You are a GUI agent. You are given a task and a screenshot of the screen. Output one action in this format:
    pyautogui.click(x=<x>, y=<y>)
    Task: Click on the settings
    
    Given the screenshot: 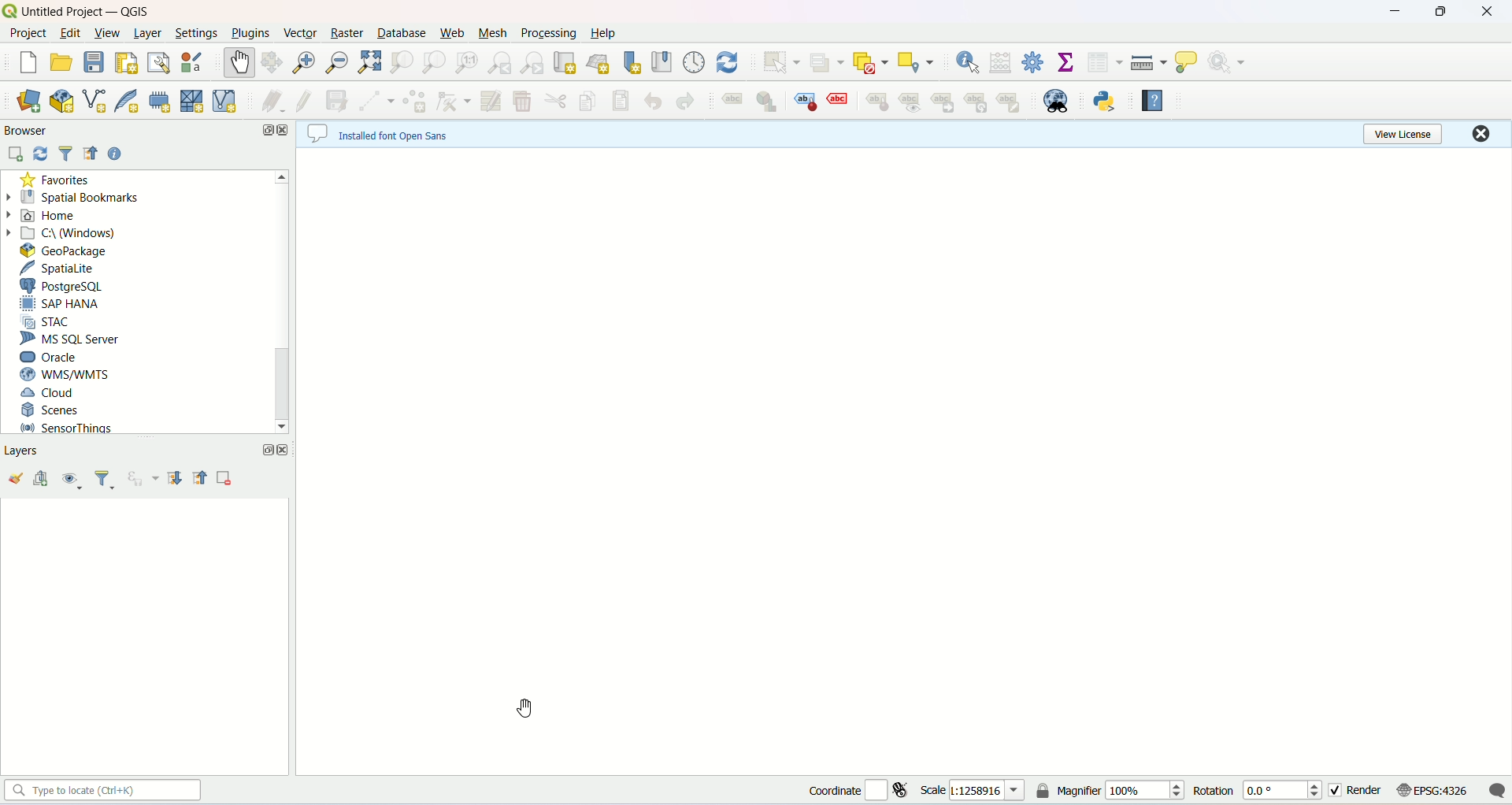 What is the action you would take?
    pyautogui.click(x=198, y=32)
    